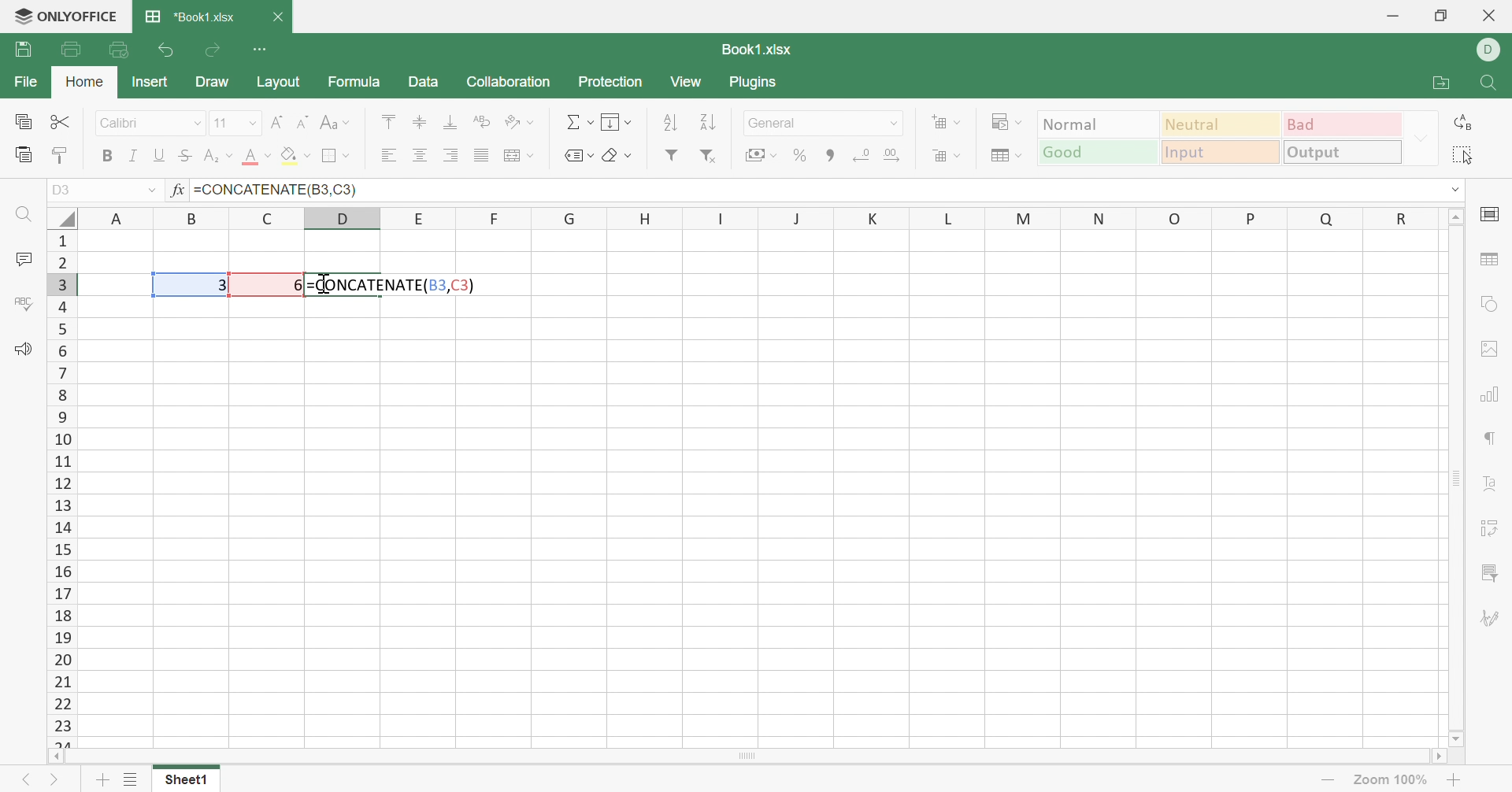 Image resolution: width=1512 pixels, height=792 pixels. Describe the element at coordinates (1492, 14) in the screenshot. I see `Close` at that location.